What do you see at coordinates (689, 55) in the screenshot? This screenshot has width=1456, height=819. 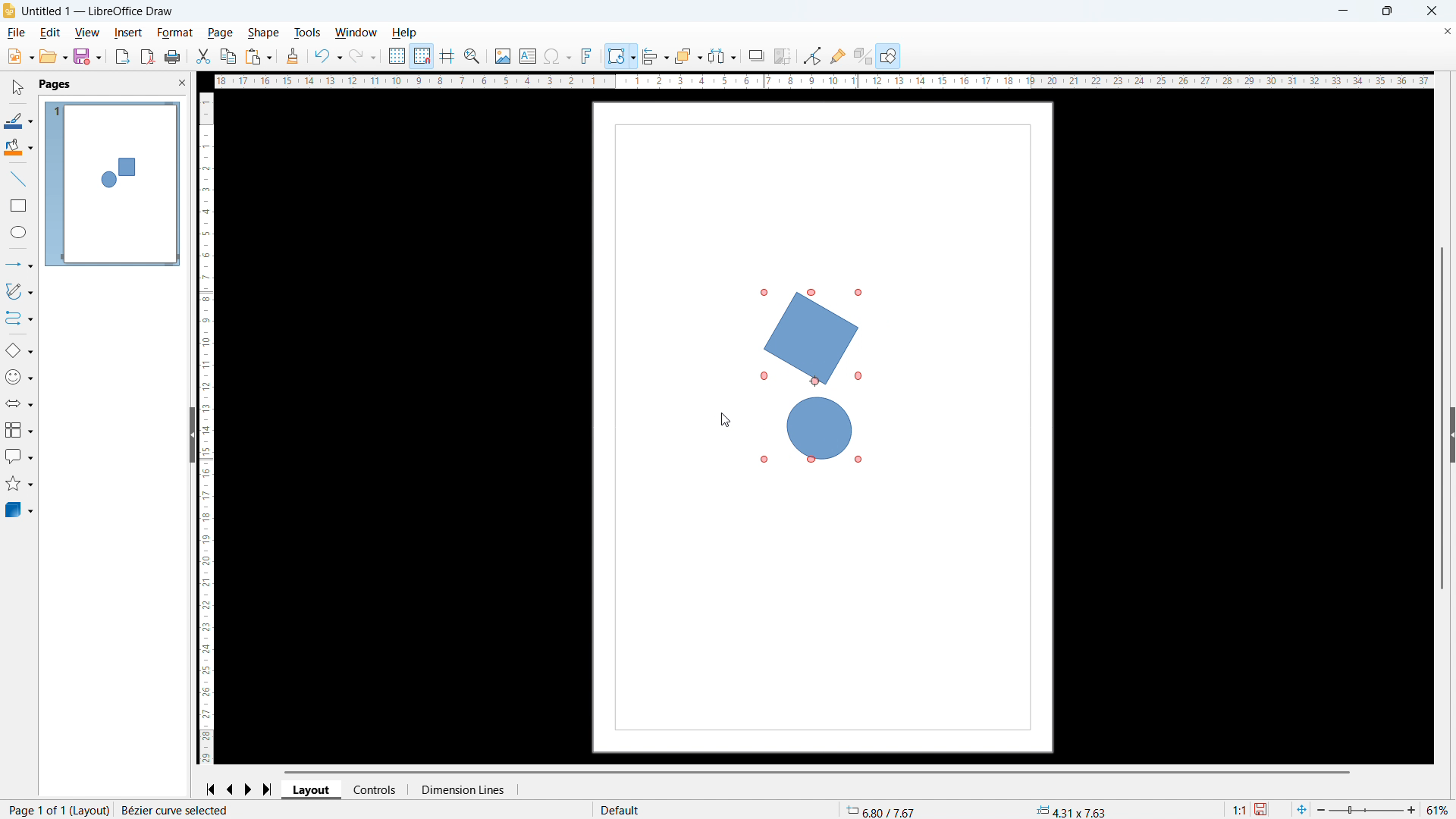 I see `Arrange ` at bounding box center [689, 55].